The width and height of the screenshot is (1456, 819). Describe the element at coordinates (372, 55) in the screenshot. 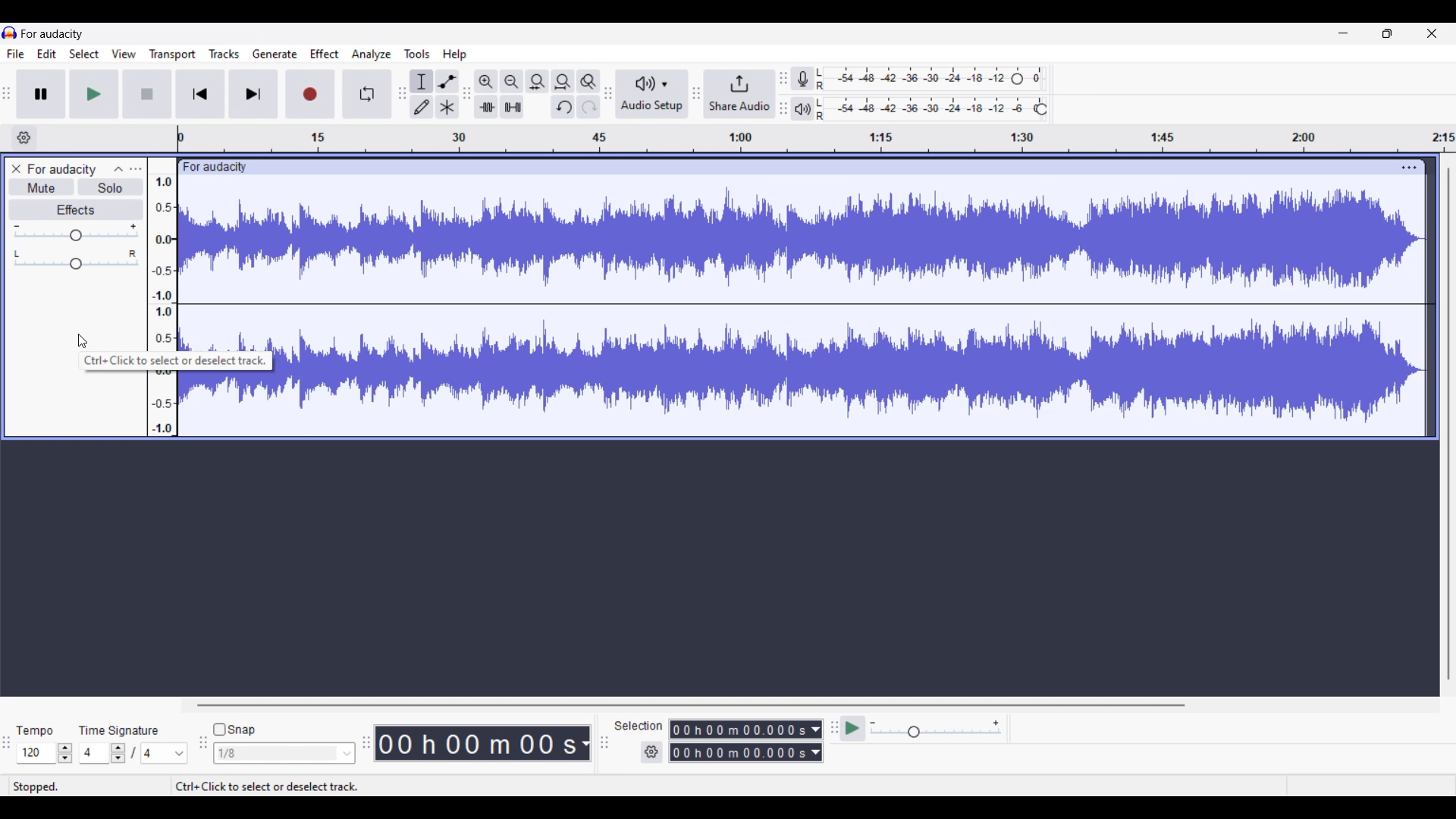

I see `Analyze menu` at that location.